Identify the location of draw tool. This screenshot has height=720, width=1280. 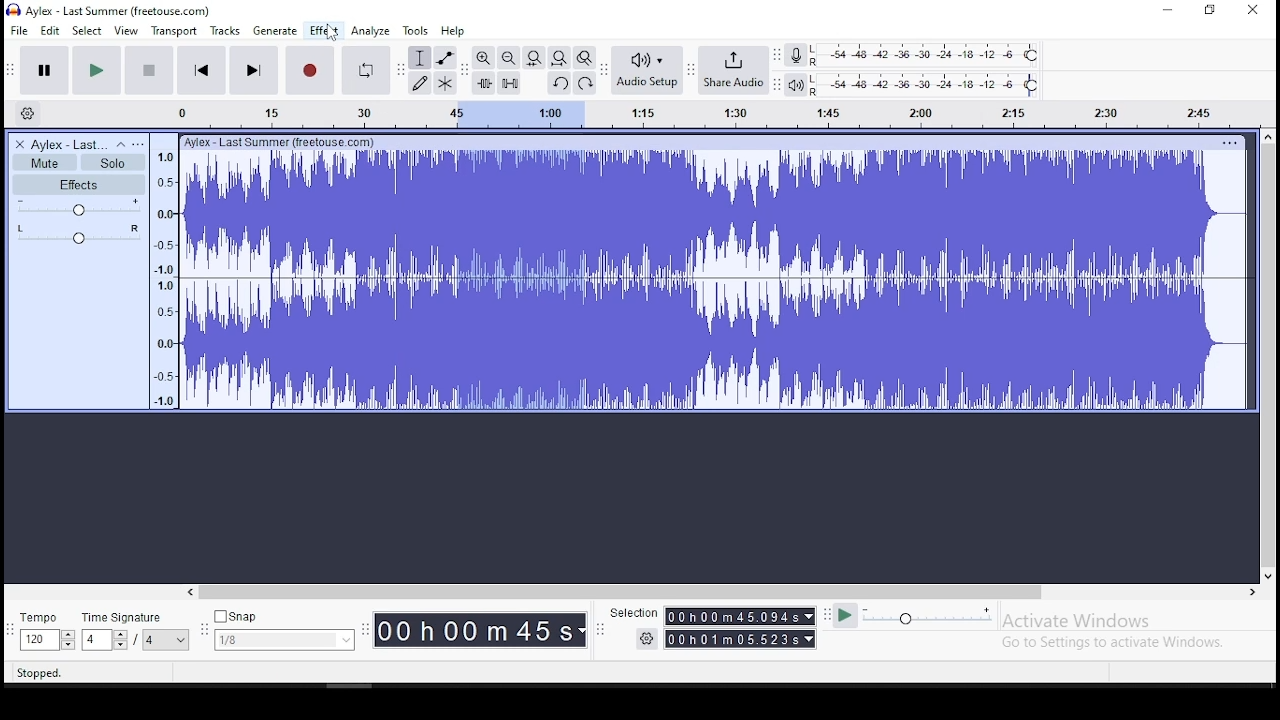
(418, 83).